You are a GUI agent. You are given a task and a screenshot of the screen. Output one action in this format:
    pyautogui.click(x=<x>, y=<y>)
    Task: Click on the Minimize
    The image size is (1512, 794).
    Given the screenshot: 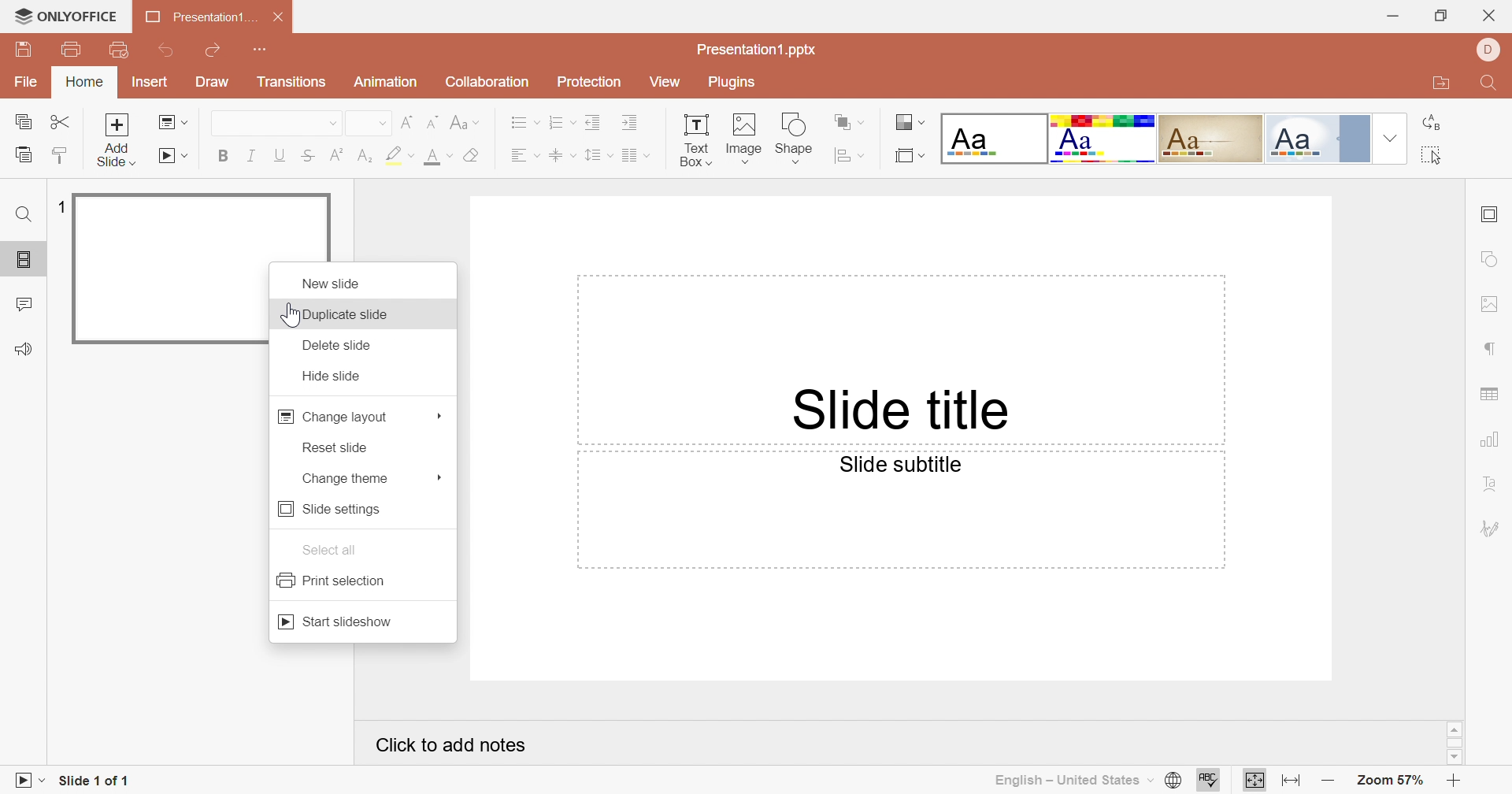 What is the action you would take?
    pyautogui.click(x=1392, y=14)
    